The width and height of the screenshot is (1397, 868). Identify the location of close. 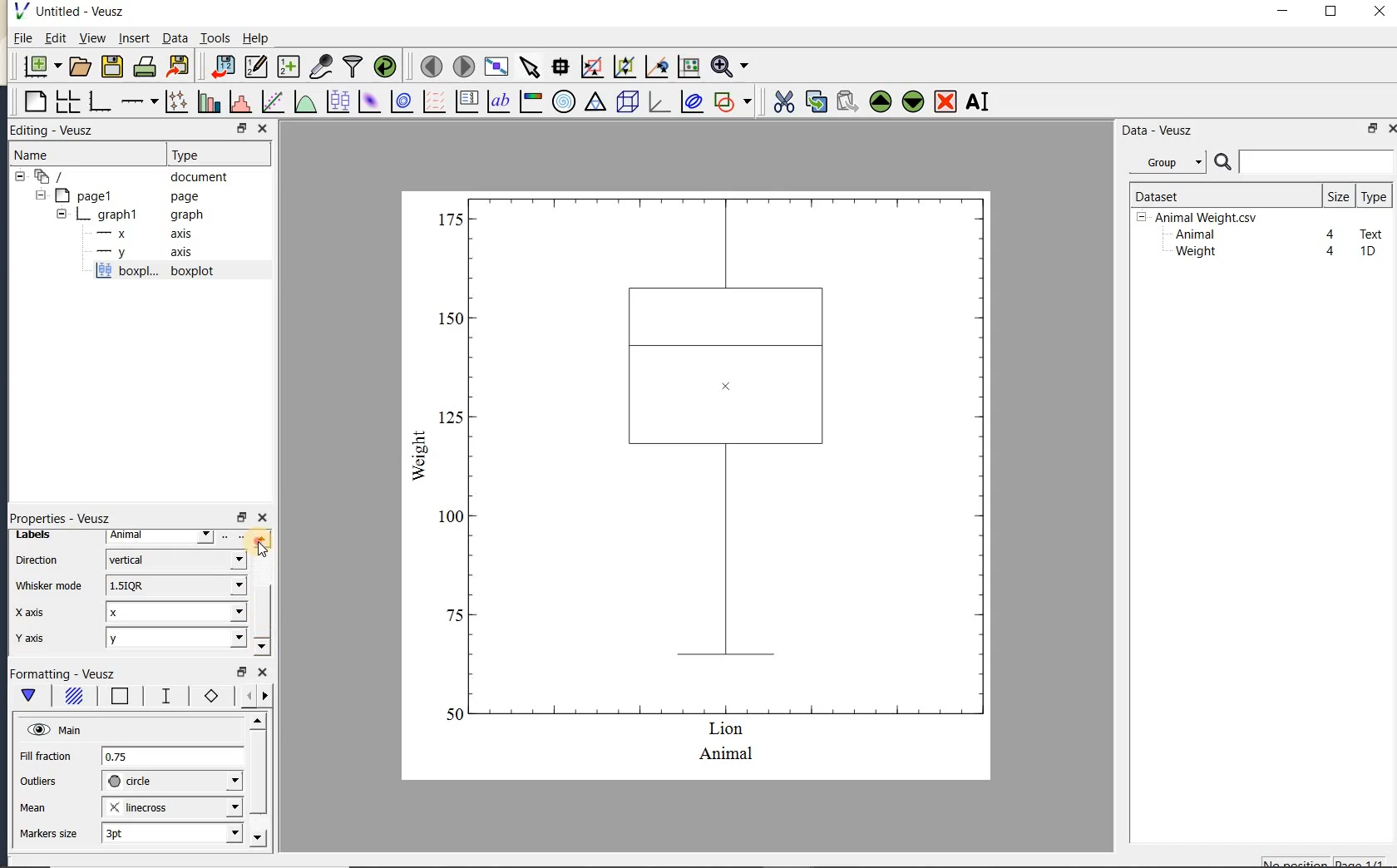
(263, 519).